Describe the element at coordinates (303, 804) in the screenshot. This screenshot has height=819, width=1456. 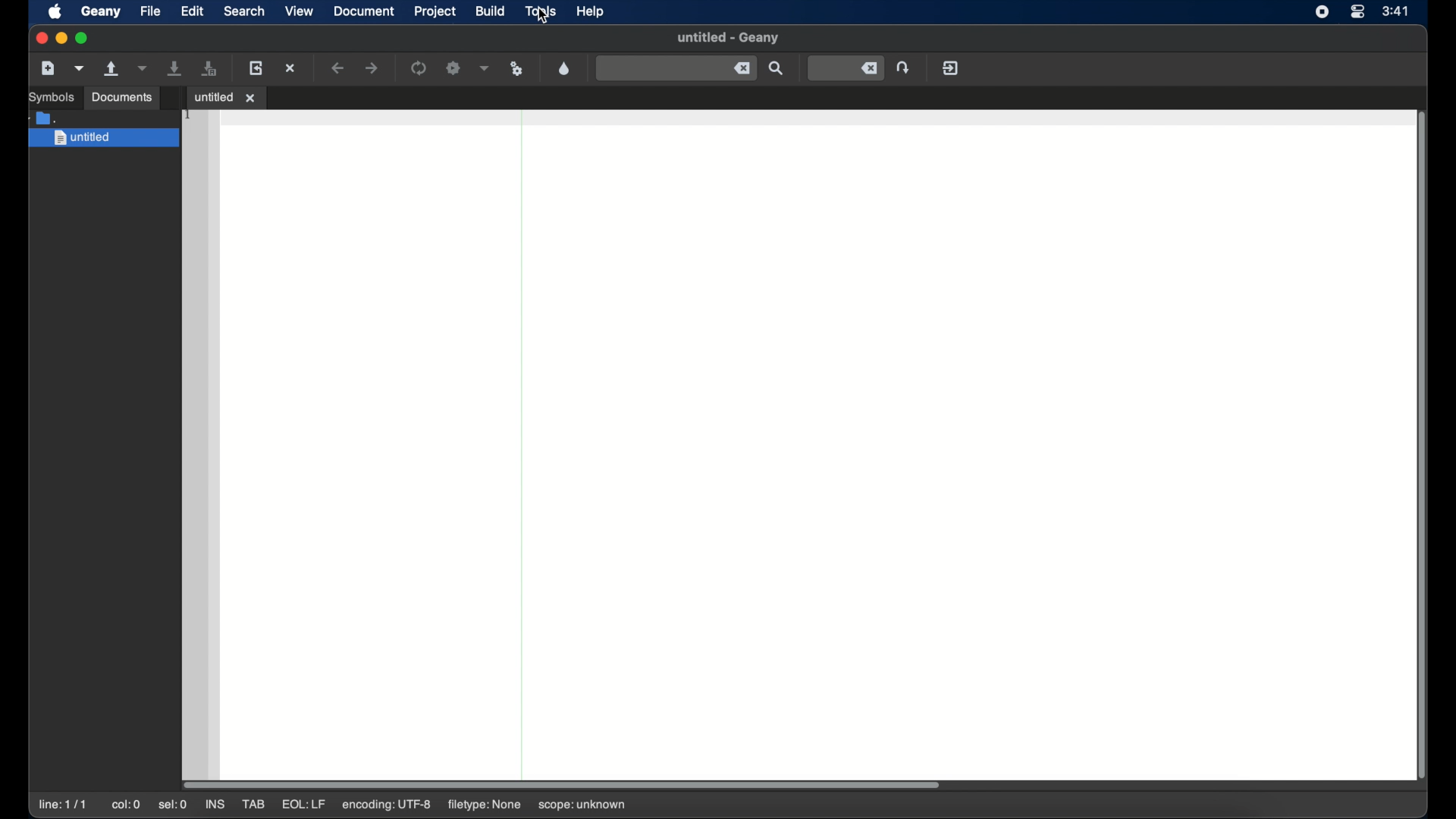
I see `eql: lf` at that location.